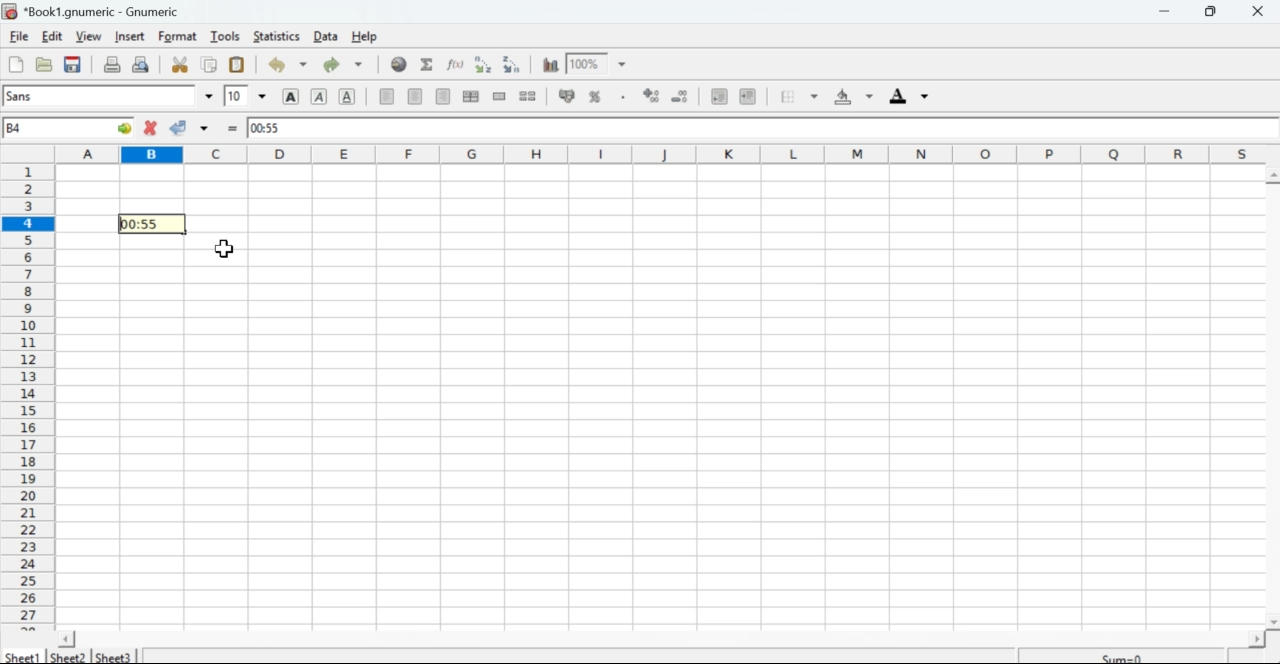 This screenshot has width=1280, height=664. Describe the element at coordinates (142, 63) in the screenshot. I see `Preview file` at that location.